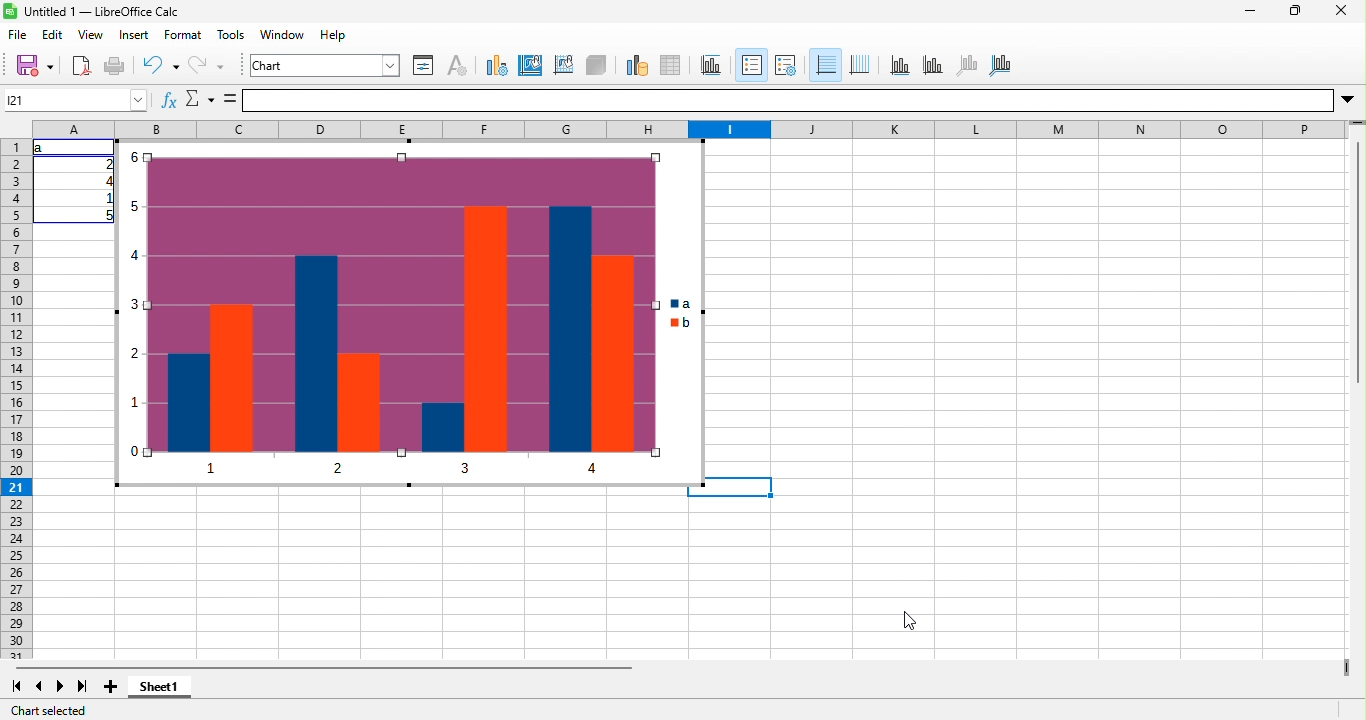 Image resolution: width=1366 pixels, height=720 pixels. I want to click on next sheet, so click(60, 686).